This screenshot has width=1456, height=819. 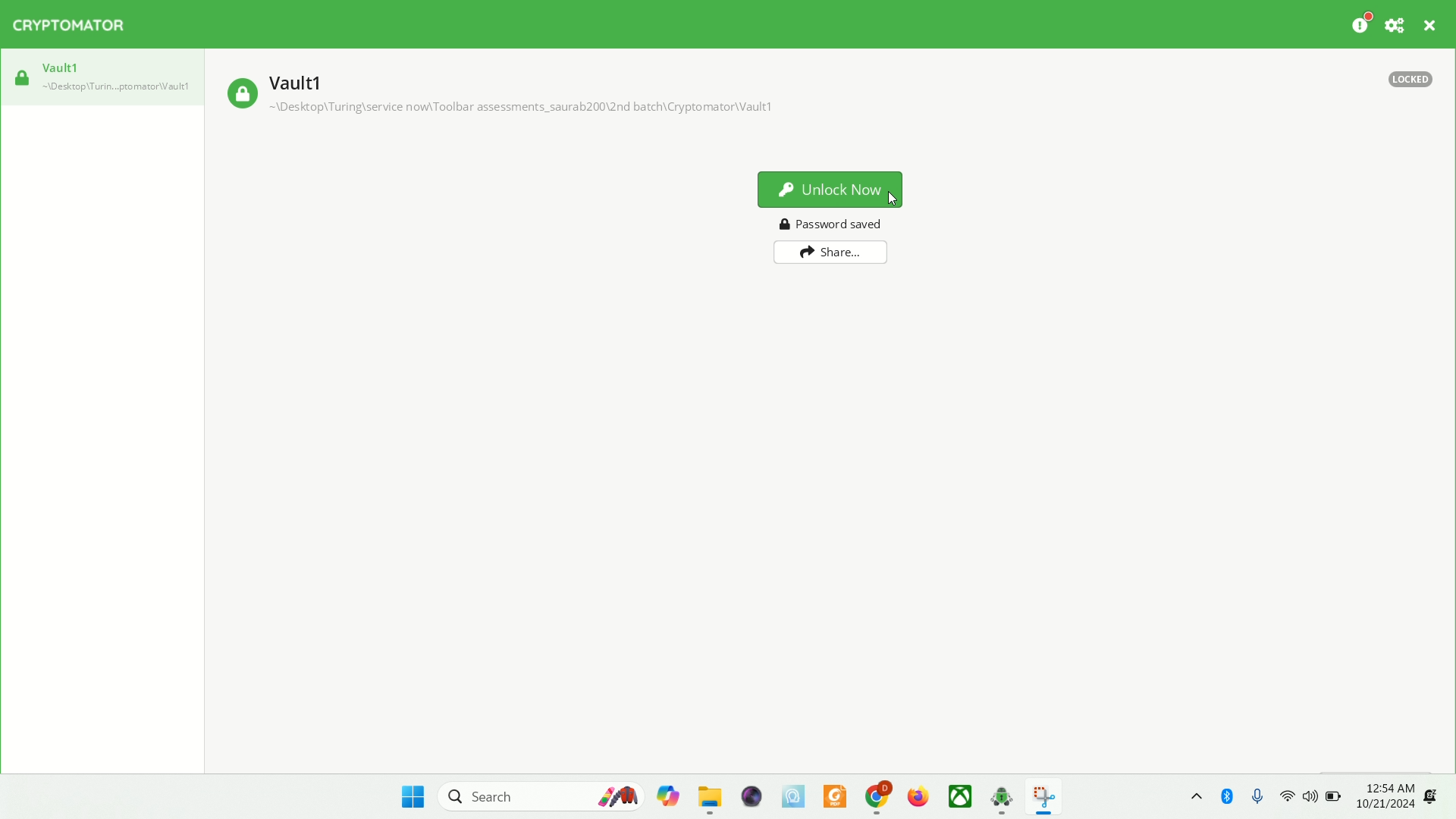 What do you see at coordinates (961, 797) in the screenshot?
I see `Xbox` at bounding box center [961, 797].